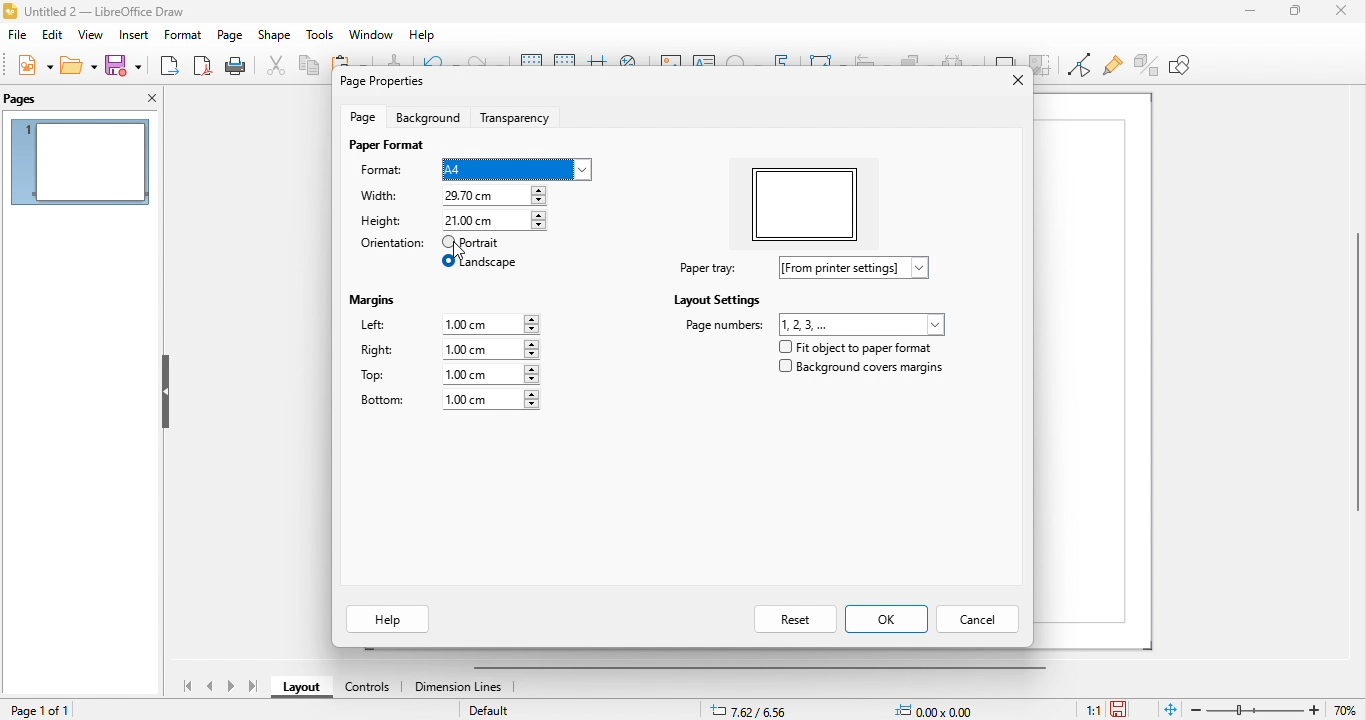  Describe the element at coordinates (1112, 67) in the screenshot. I see `show gulepoint functions` at that location.